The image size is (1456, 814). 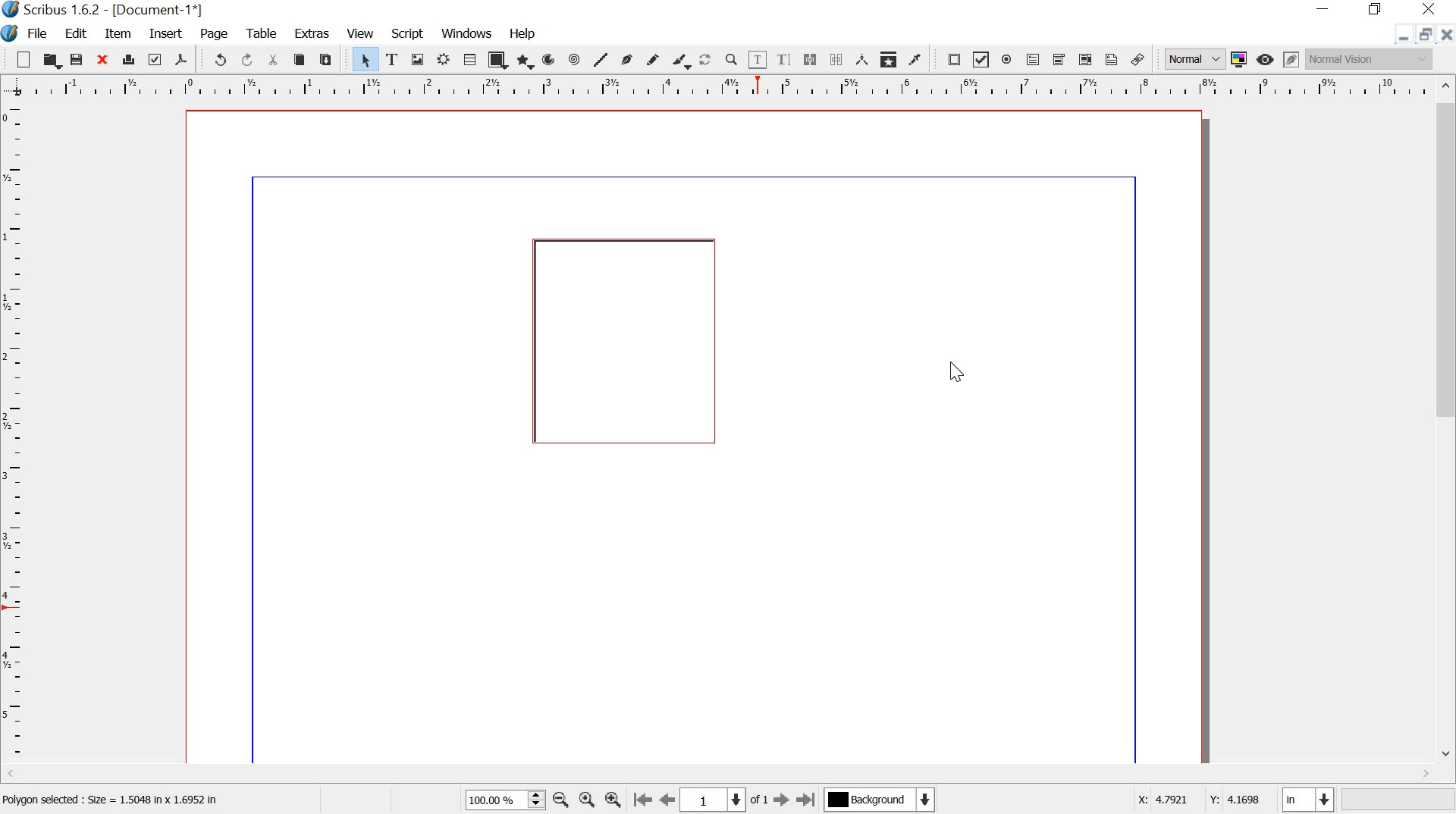 What do you see at coordinates (498, 60) in the screenshot?
I see `shape` at bounding box center [498, 60].